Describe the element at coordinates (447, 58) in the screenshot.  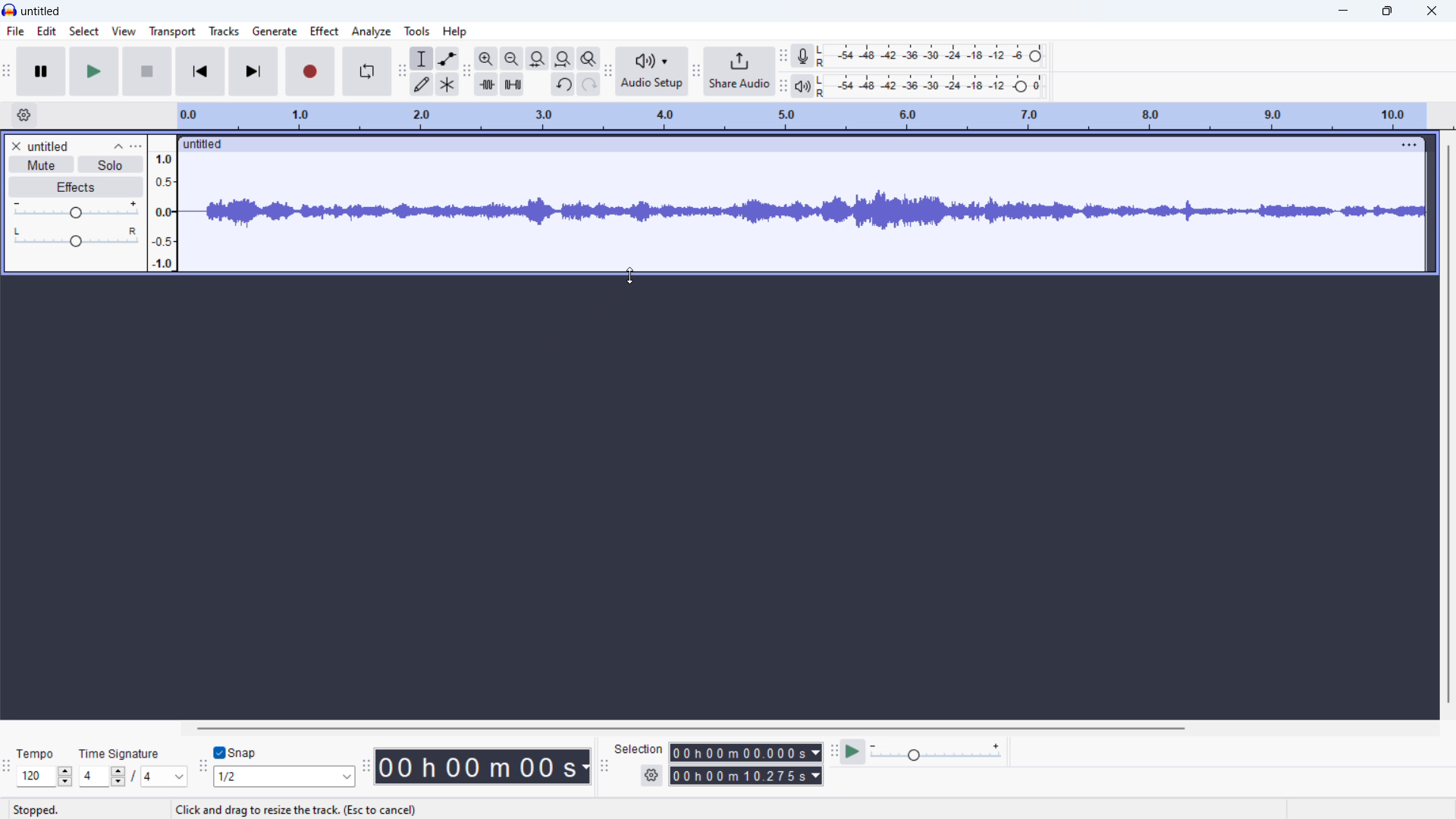
I see `envelop tool` at that location.